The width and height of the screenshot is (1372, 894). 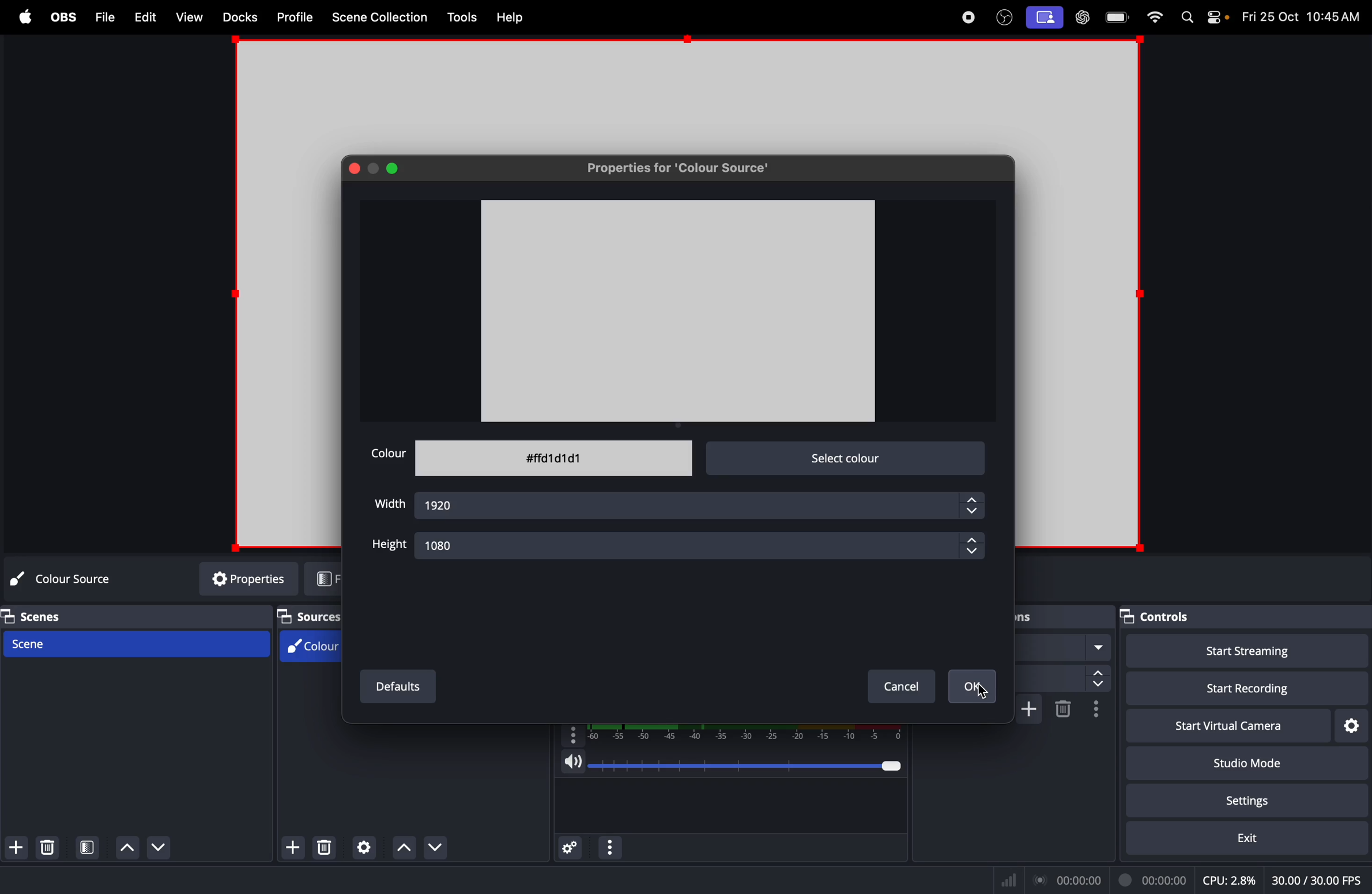 What do you see at coordinates (1113, 880) in the screenshot?
I see `record time` at bounding box center [1113, 880].